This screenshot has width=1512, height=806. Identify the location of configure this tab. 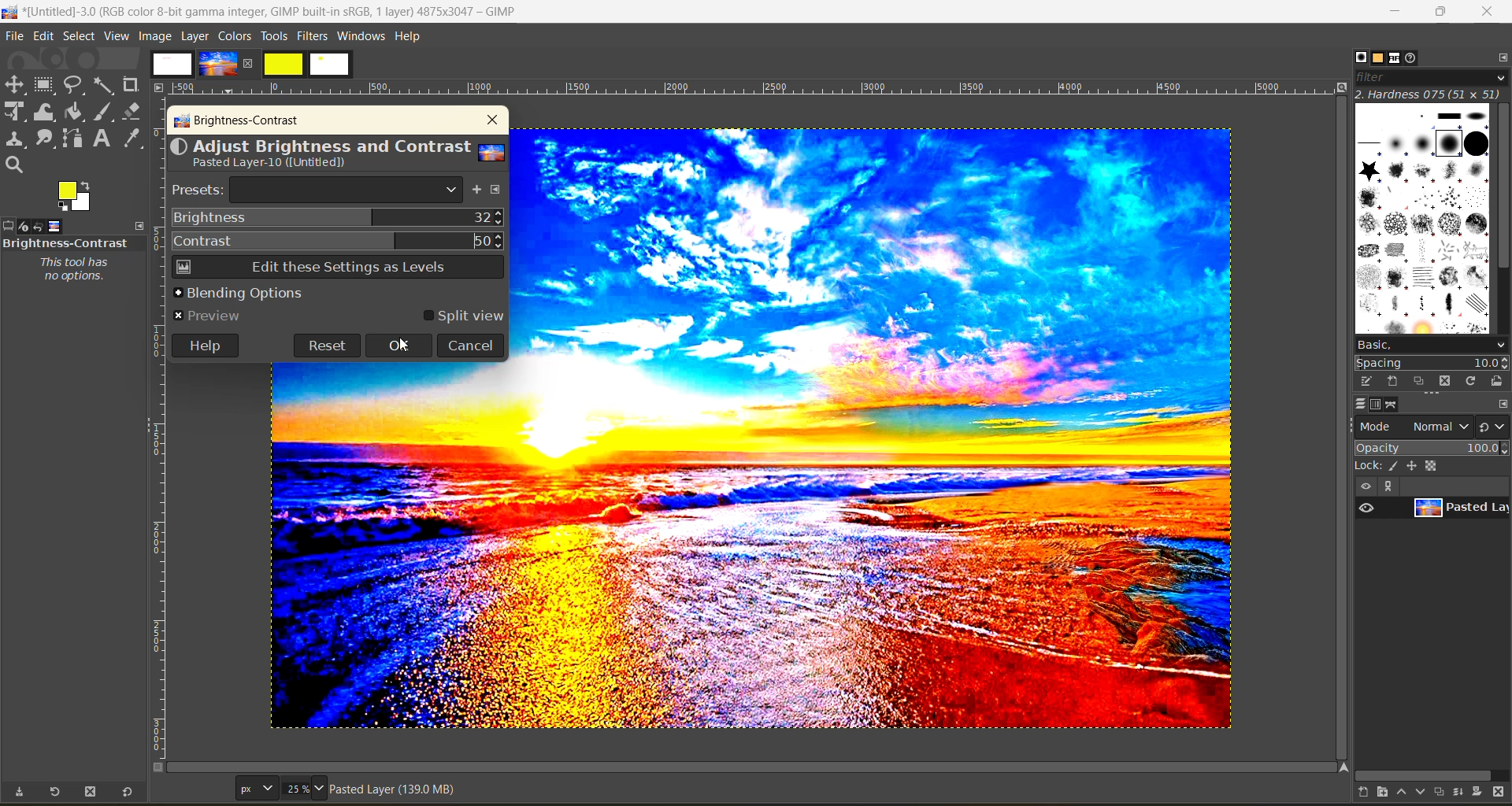
(1503, 405).